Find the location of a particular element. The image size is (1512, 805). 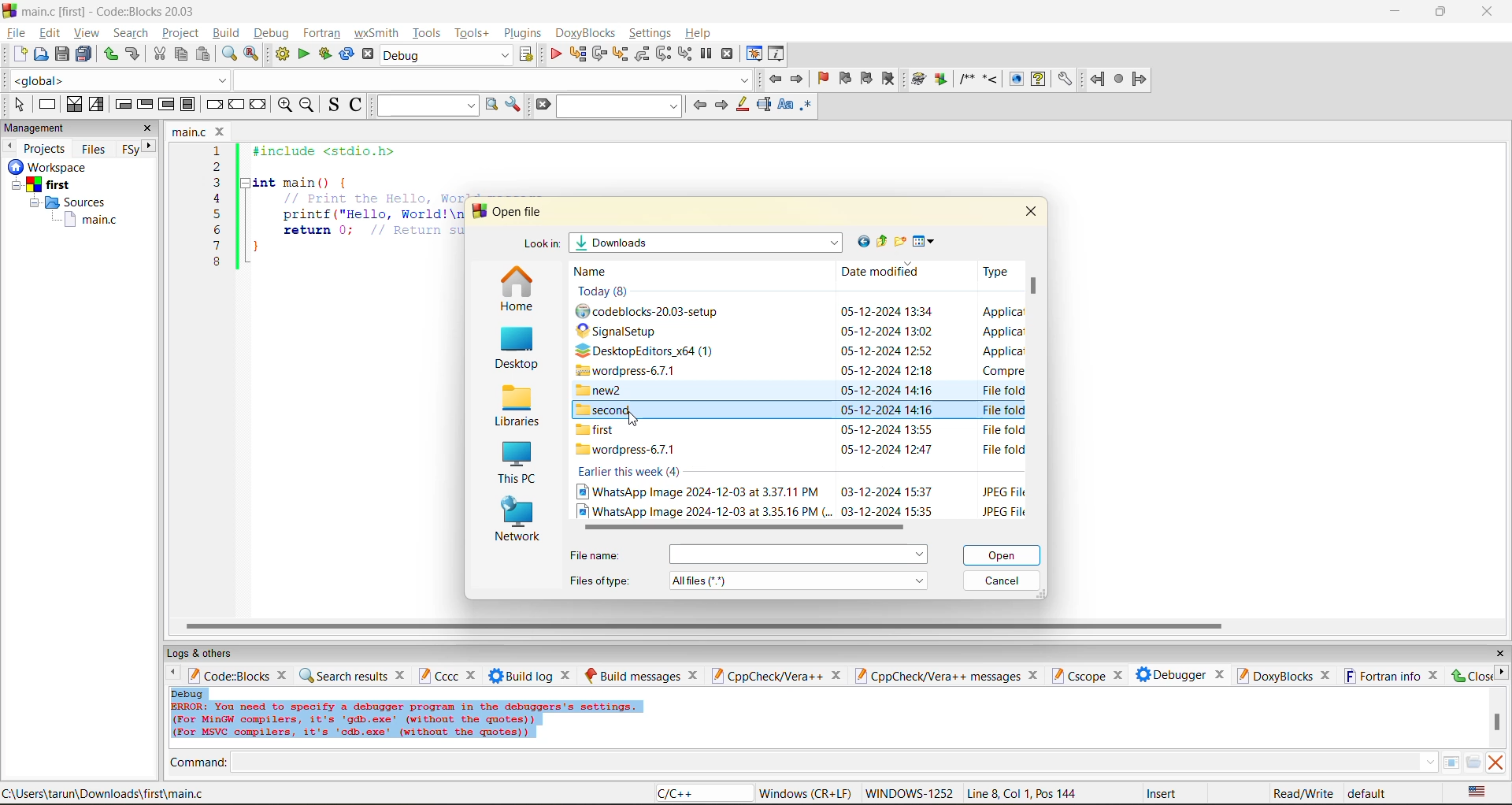

step into is located at coordinates (619, 54).